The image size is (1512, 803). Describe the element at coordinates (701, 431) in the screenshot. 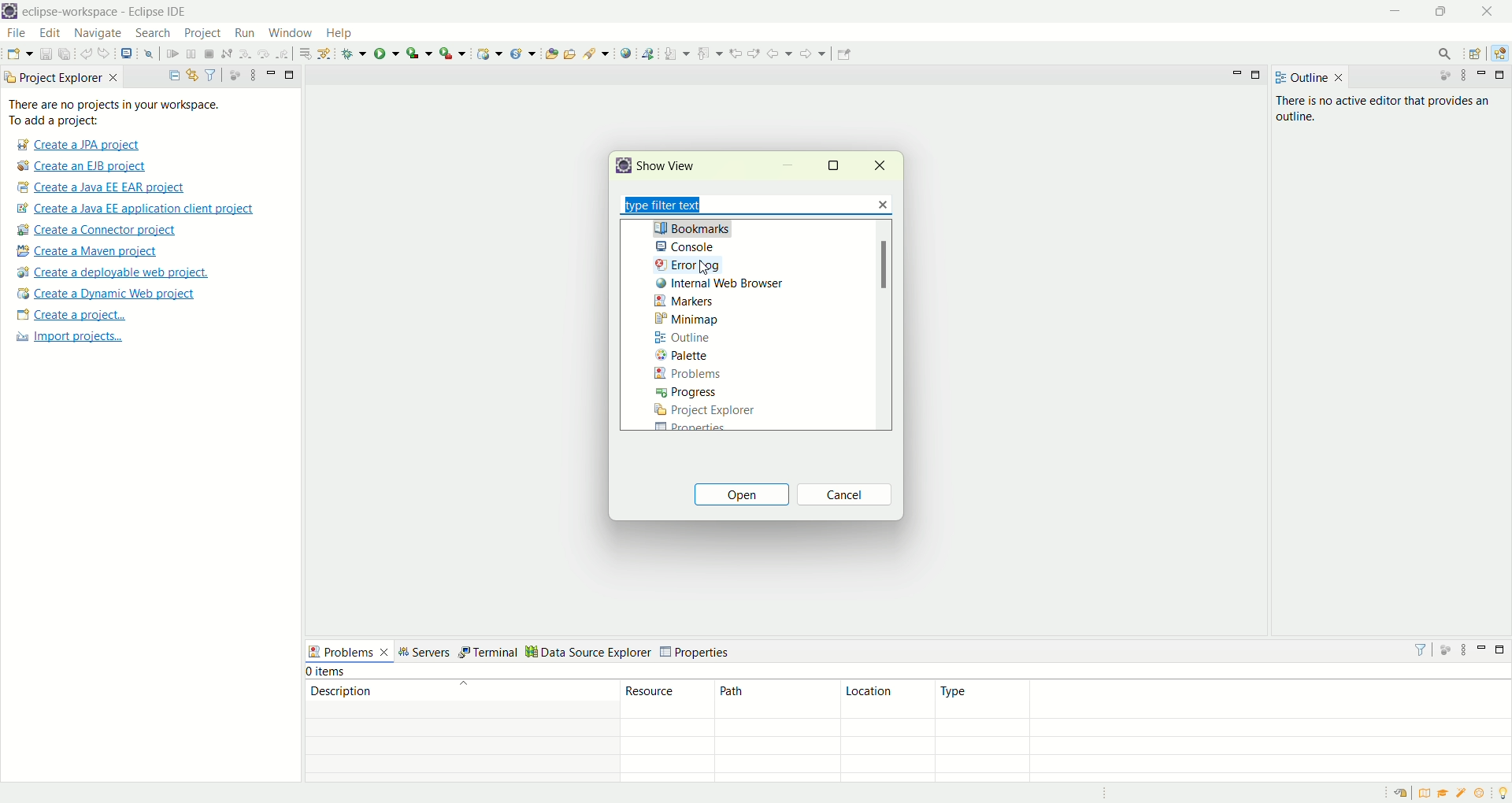

I see `Properties` at that location.